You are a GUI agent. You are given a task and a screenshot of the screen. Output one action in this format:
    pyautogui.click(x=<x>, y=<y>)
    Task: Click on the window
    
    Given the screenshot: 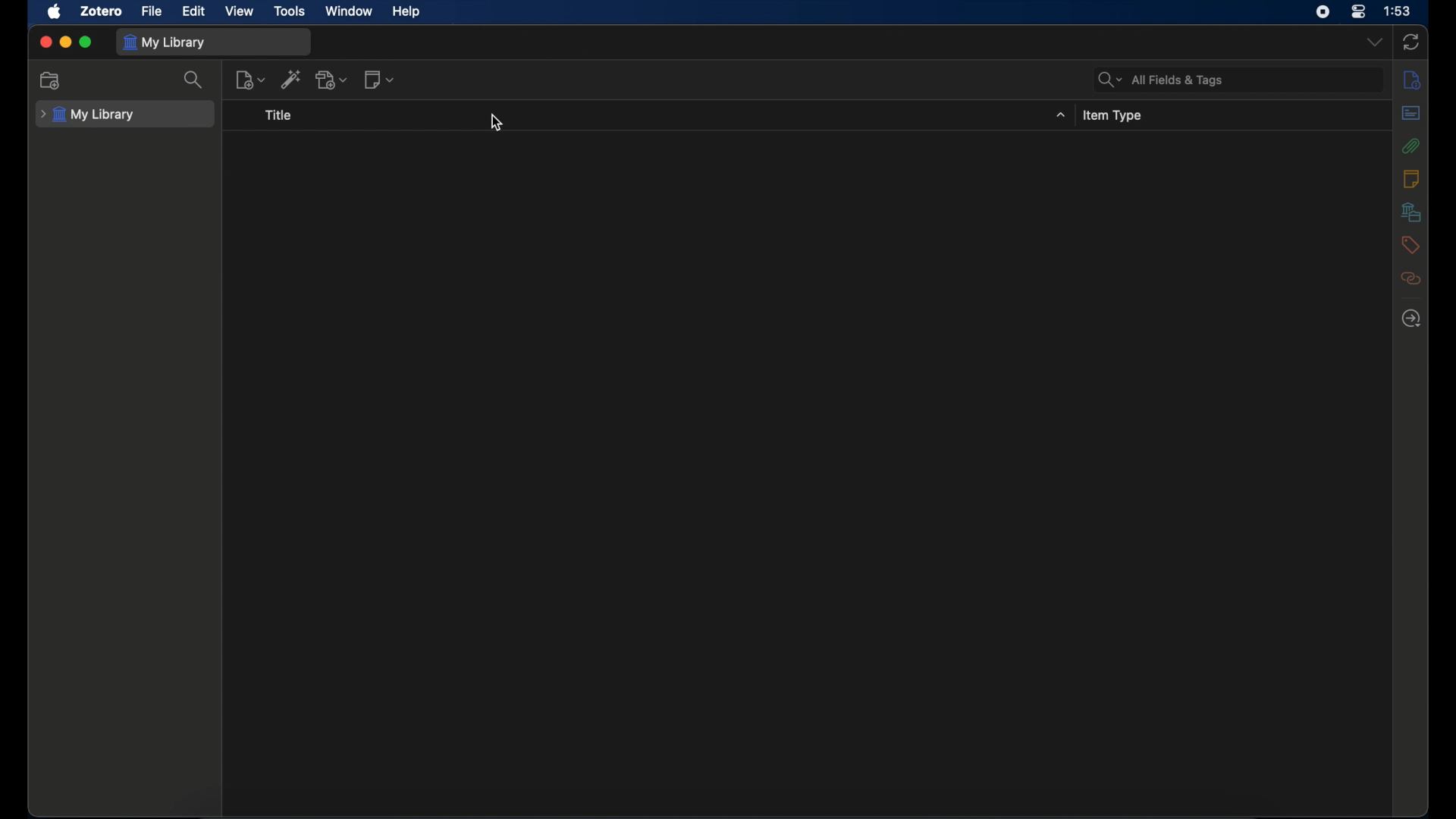 What is the action you would take?
    pyautogui.click(x=347, y=11)
    